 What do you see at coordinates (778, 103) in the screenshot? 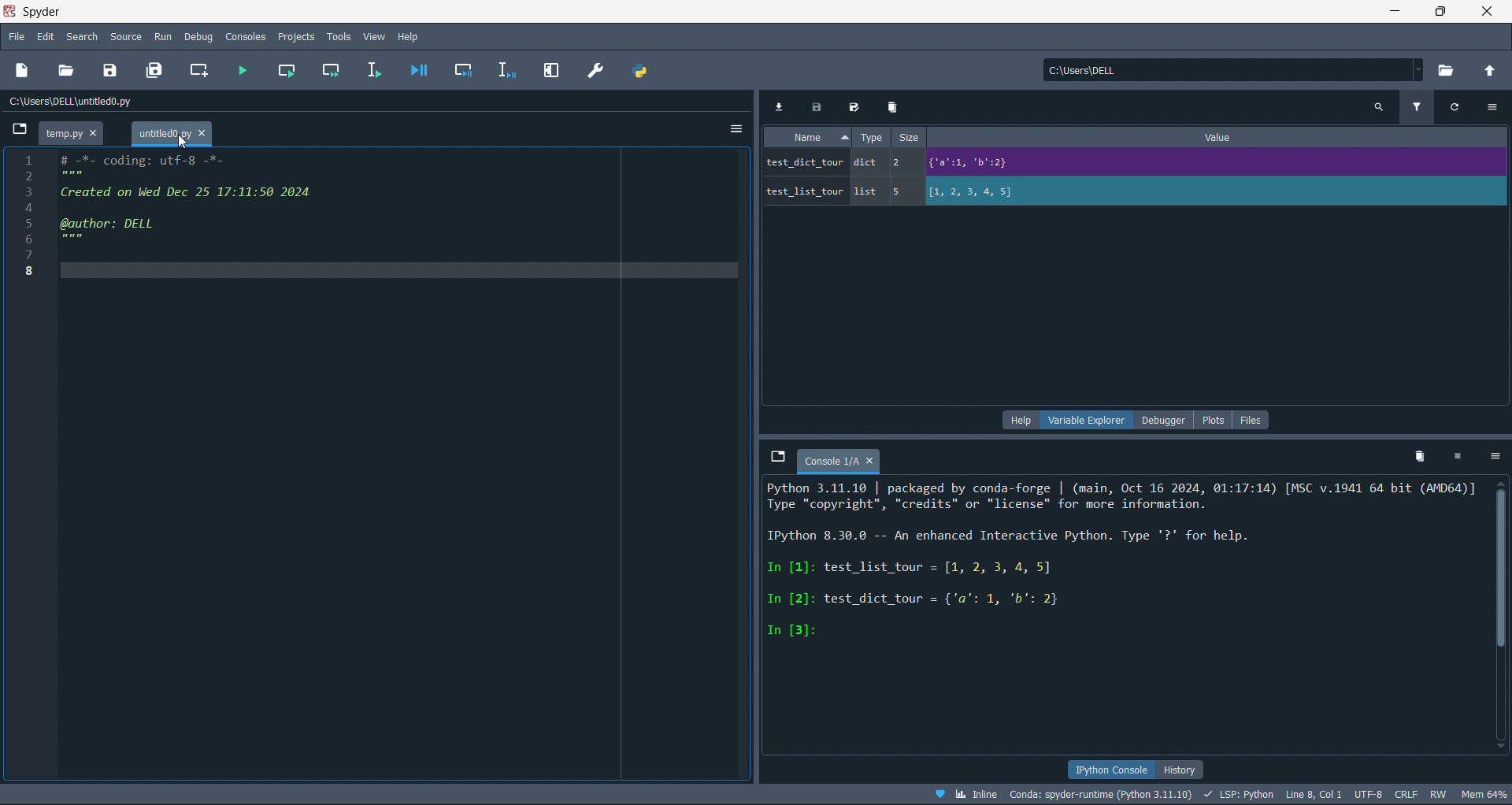
I see `import data` at bounding box center [778, 103].